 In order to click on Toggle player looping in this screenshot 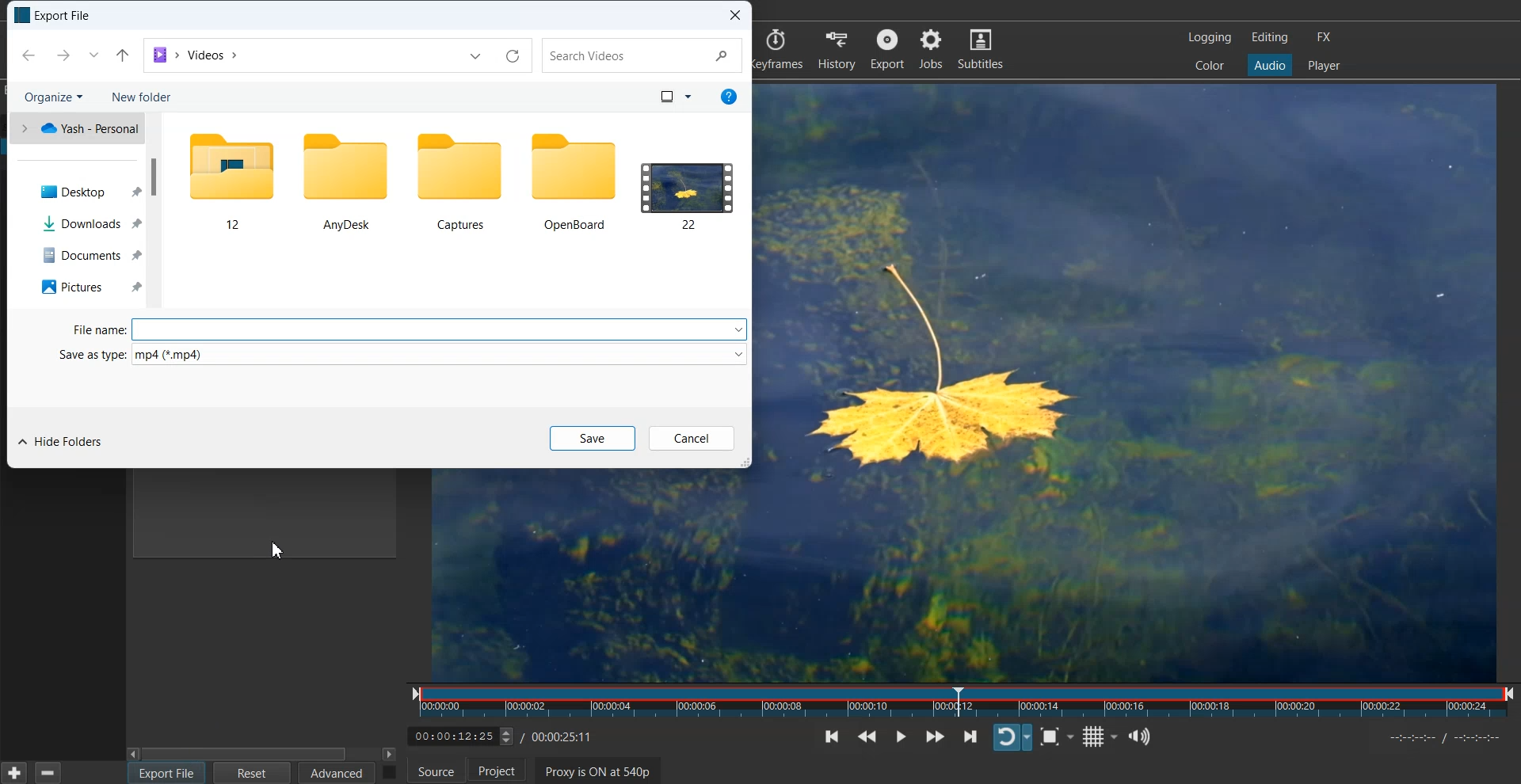, I will do `click(1012, 736)`.